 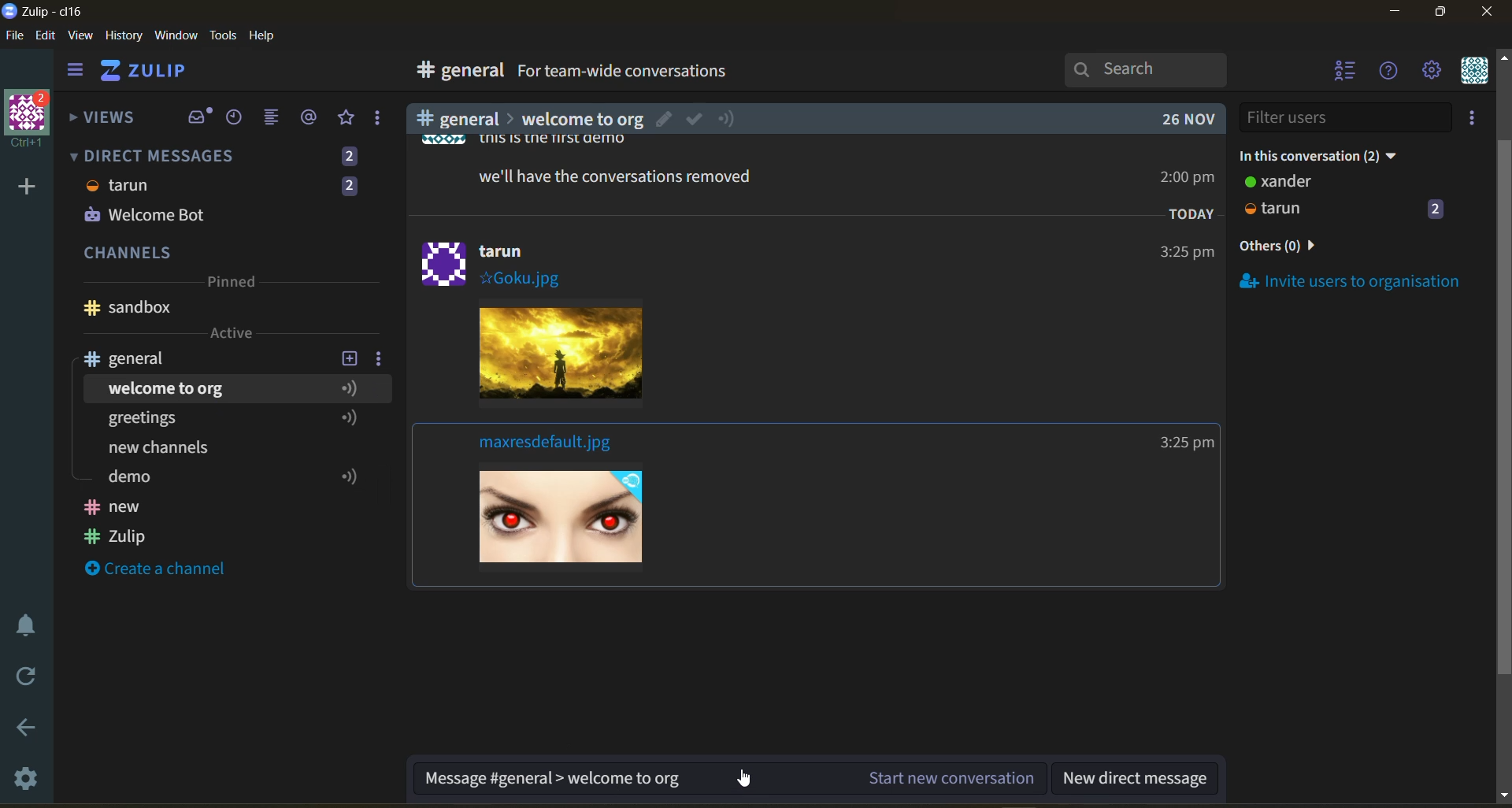 What do you see at coordinates (1183, 180) in the screenshot?
I see `` at bounding box center [1183, 180].